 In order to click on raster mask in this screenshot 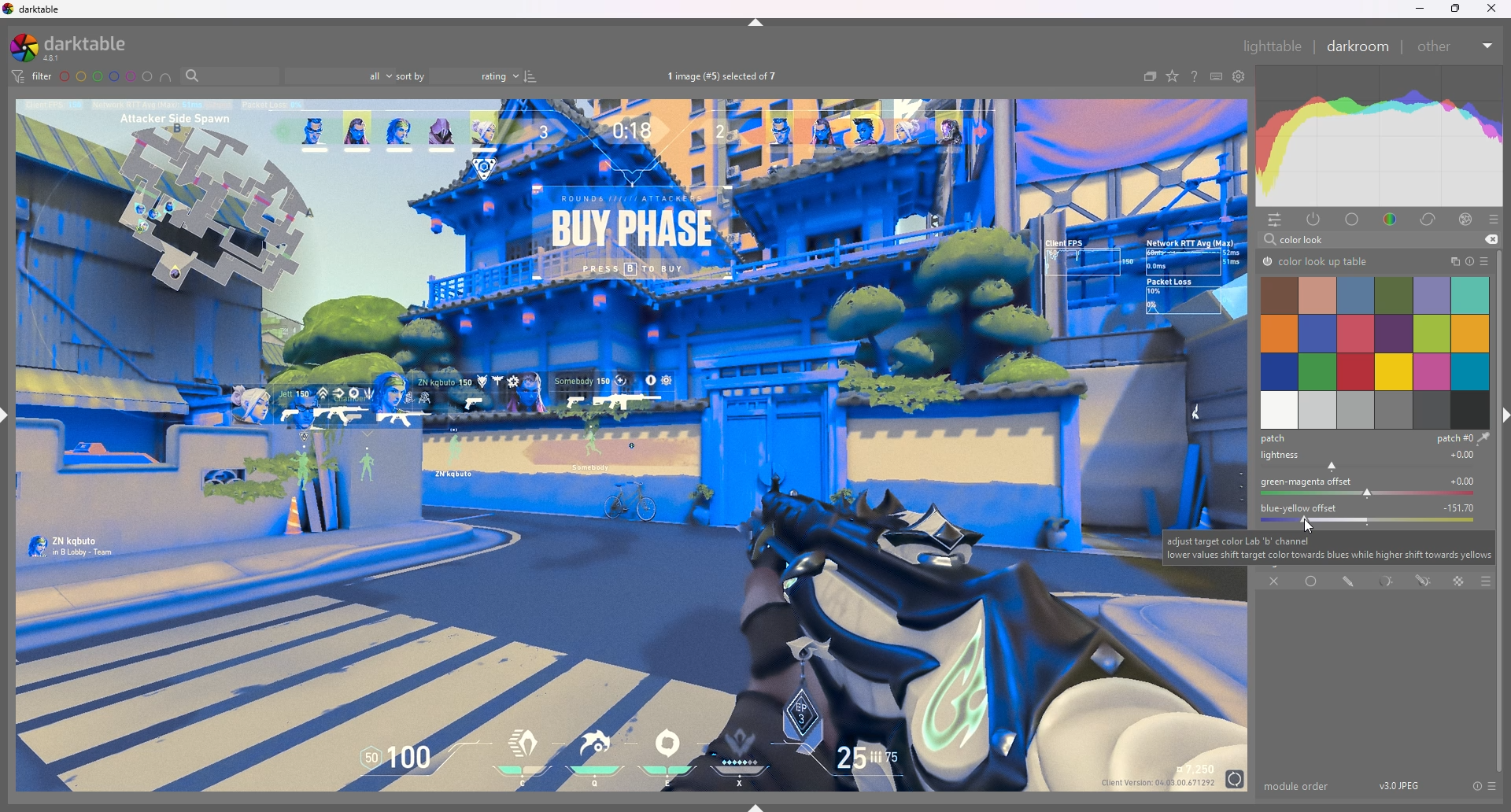, I will do `click(1459, 581)`.